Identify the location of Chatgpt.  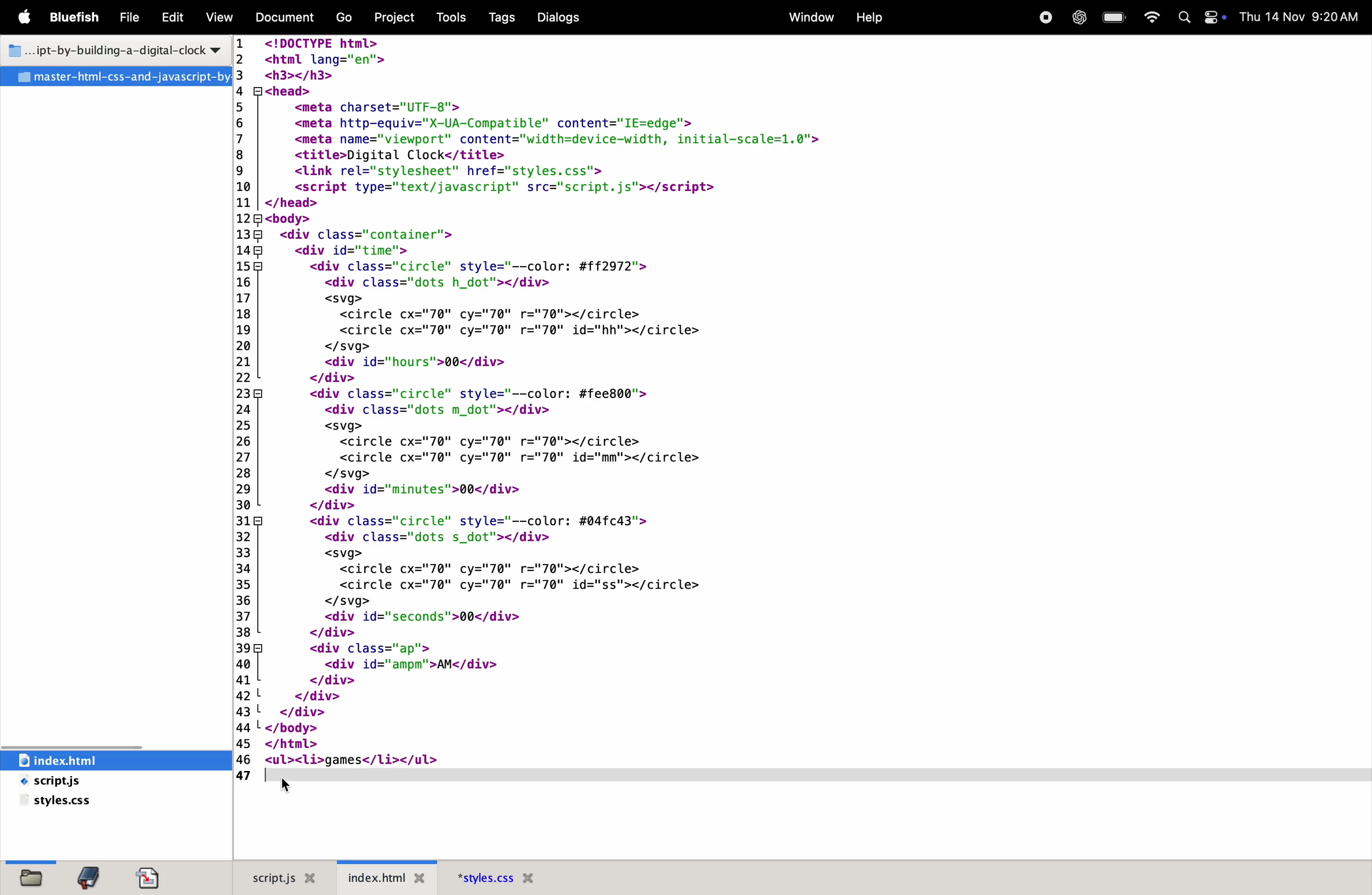
(1076, 18).